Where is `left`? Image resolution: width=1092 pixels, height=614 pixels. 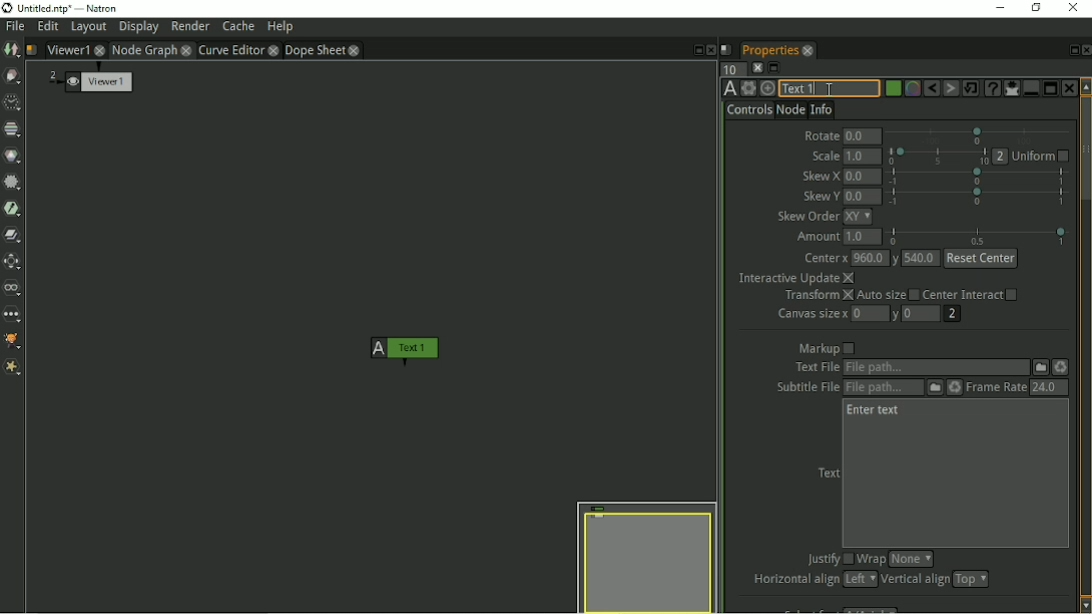 left is located at coordinates (858, 579).